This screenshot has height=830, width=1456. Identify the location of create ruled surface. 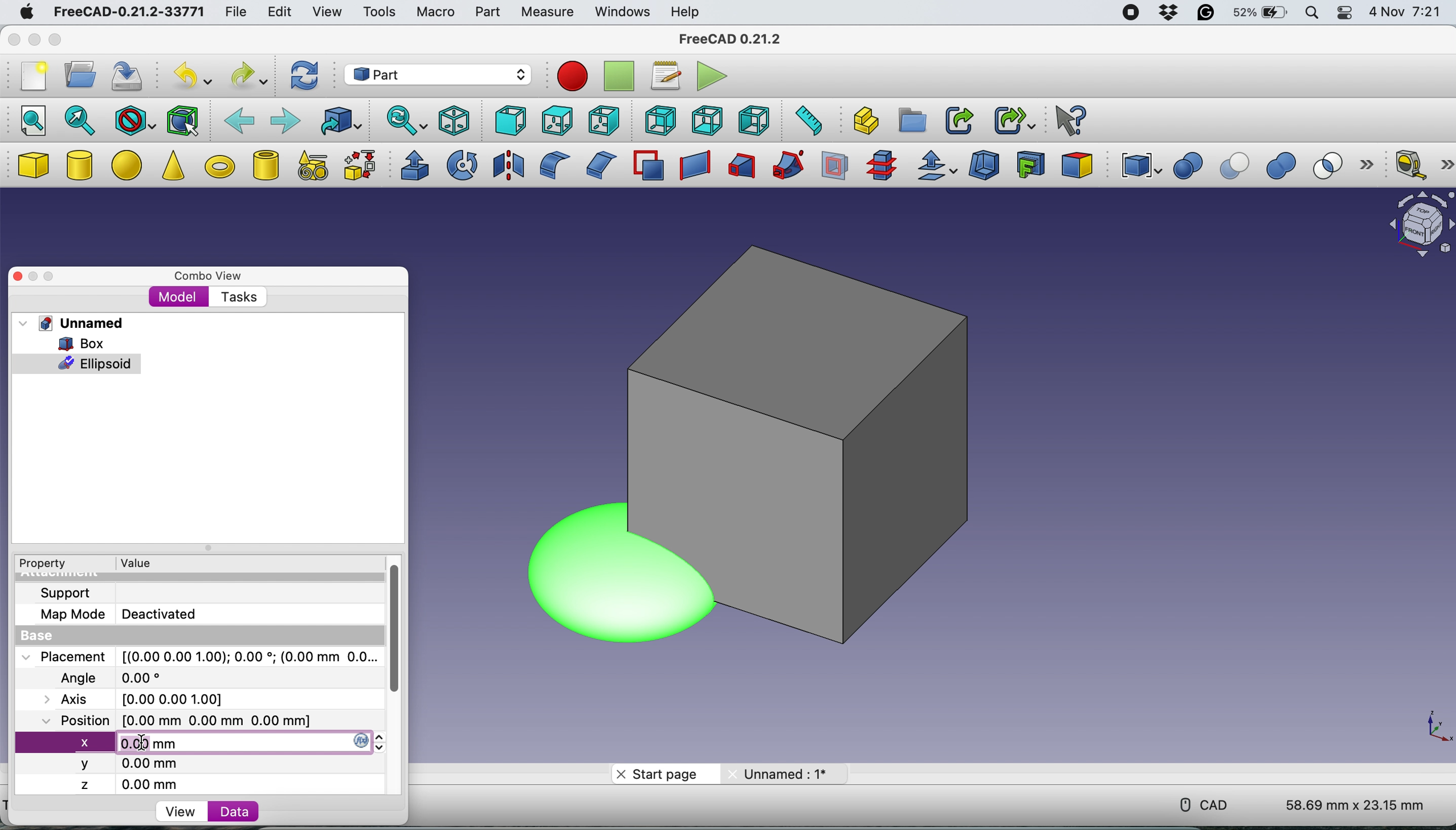
(692, 166).